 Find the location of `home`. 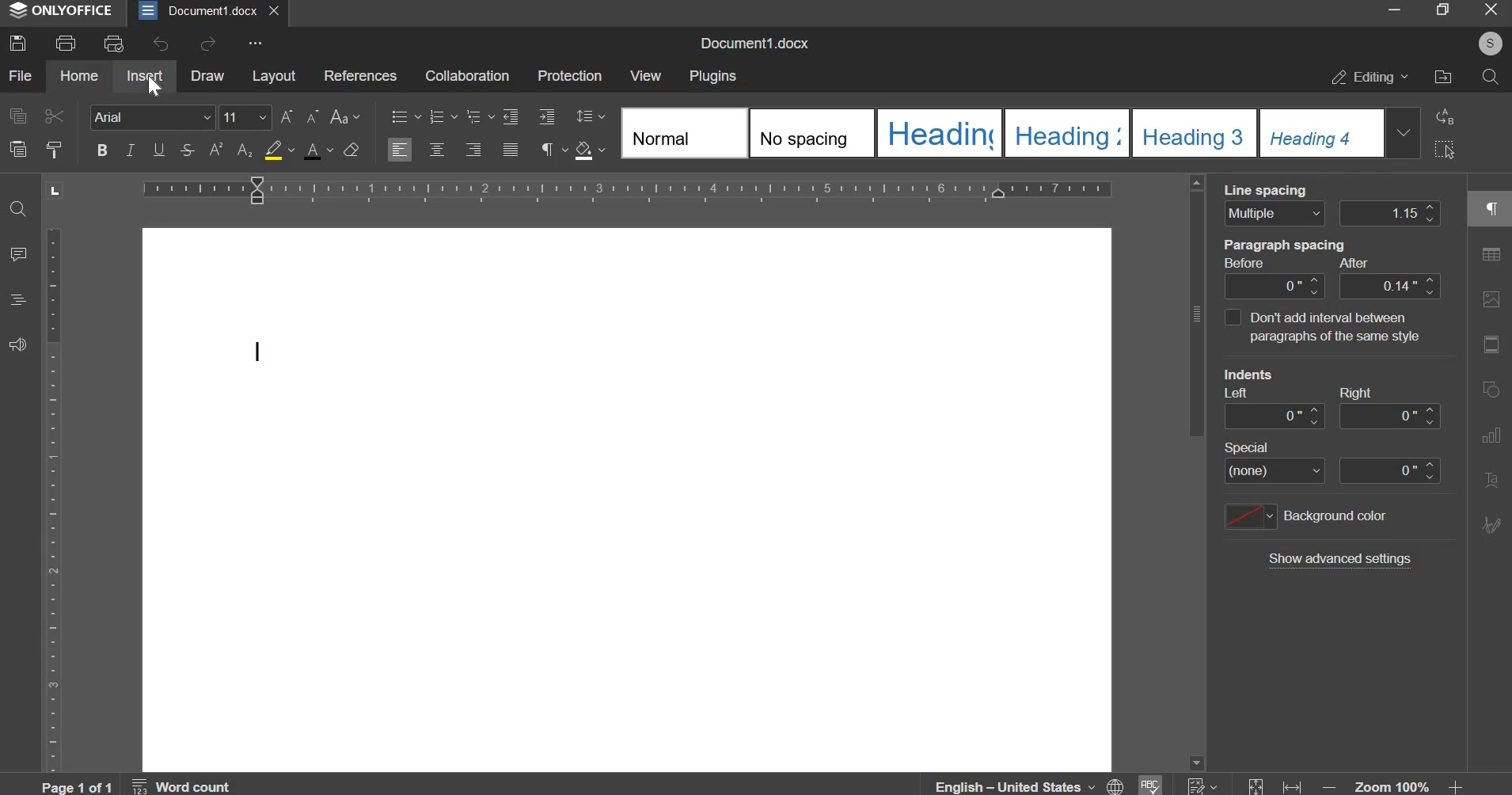

home is located at coordinates (78, 75).